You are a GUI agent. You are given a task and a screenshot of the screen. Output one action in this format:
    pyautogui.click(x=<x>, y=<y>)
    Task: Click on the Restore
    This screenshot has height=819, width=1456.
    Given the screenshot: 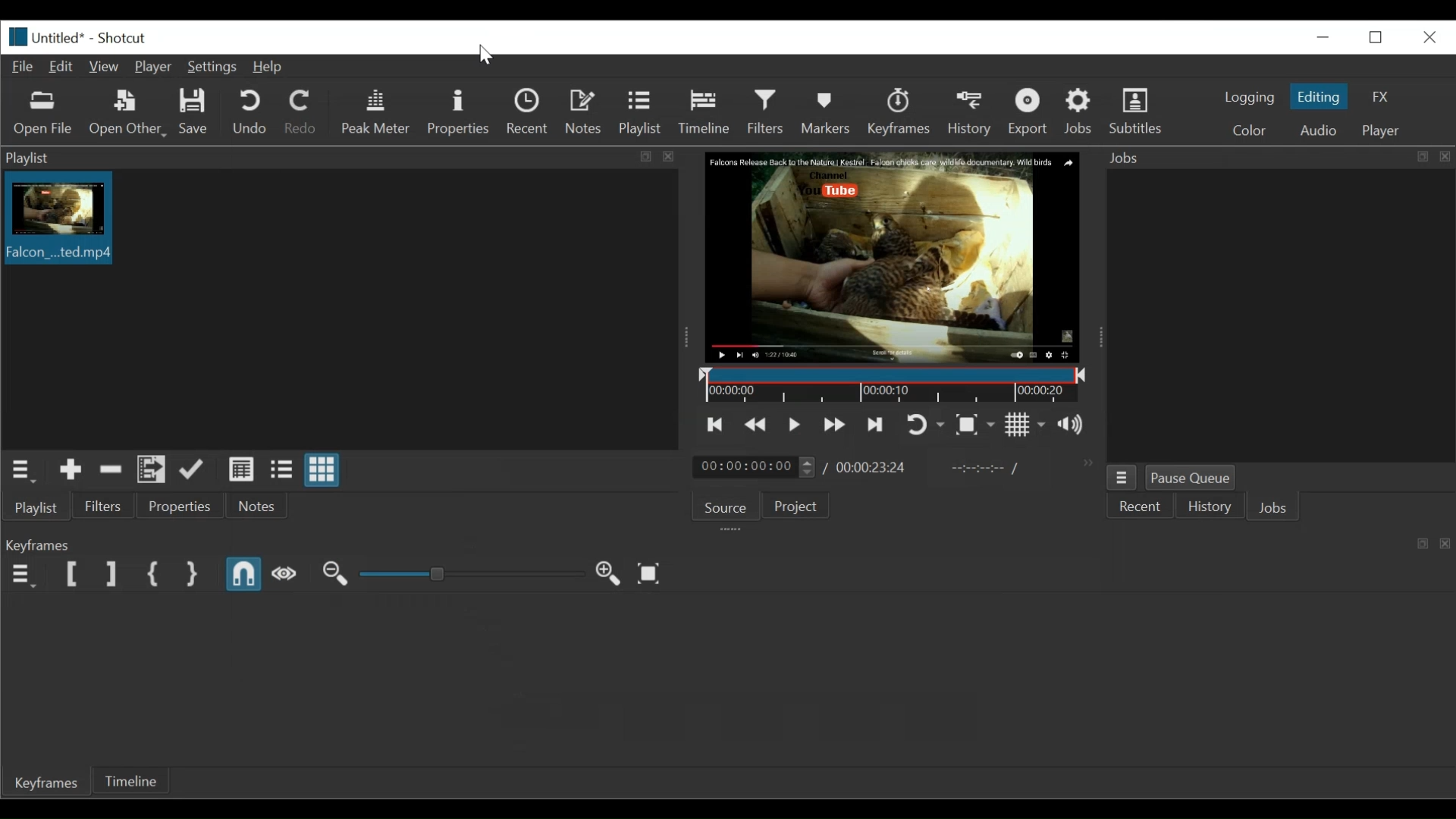 What is the action you would take?
    pyautogui.click(x=1376, y=38)
    